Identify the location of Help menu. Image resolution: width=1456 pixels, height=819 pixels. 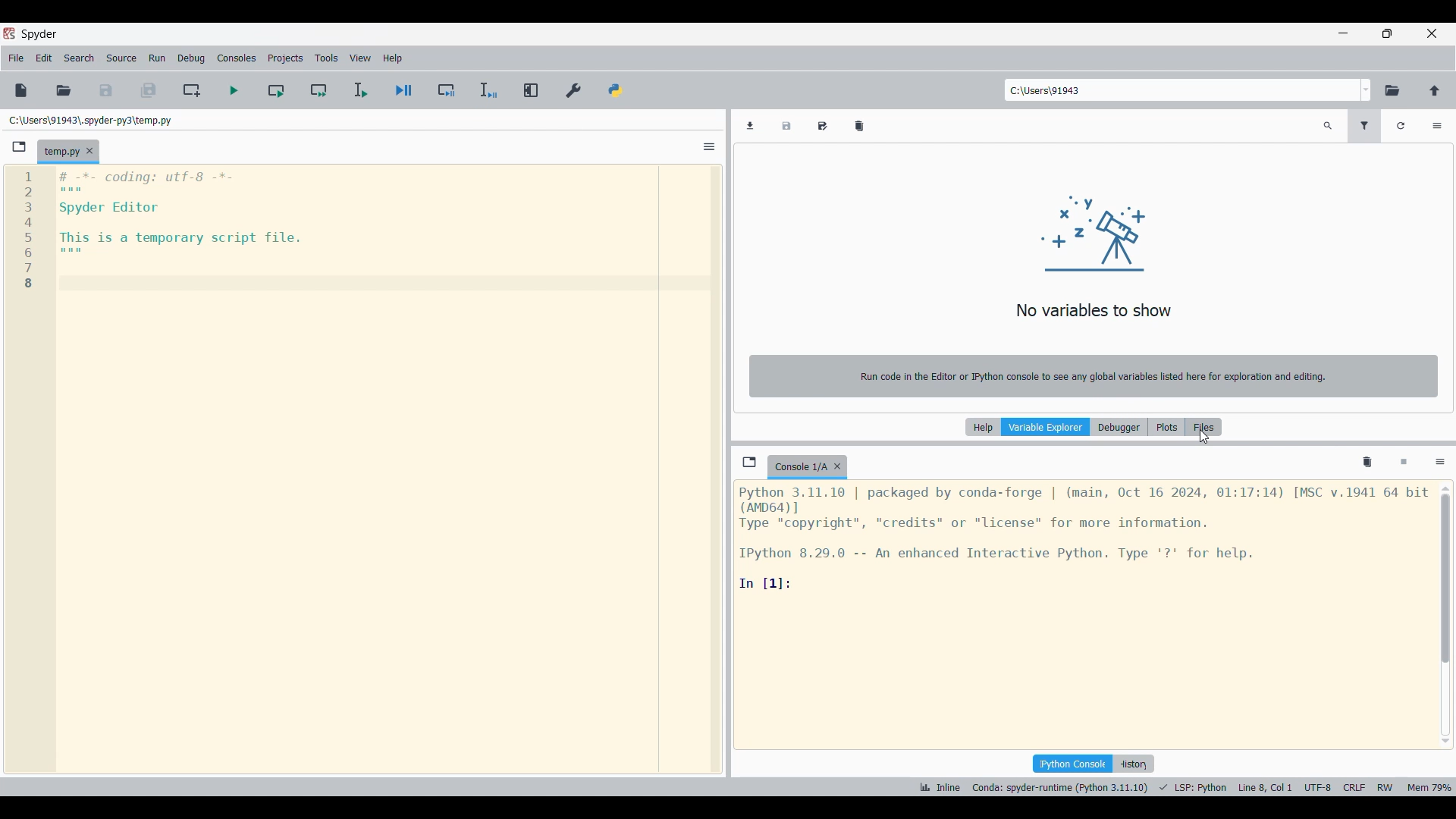
(392, 58).